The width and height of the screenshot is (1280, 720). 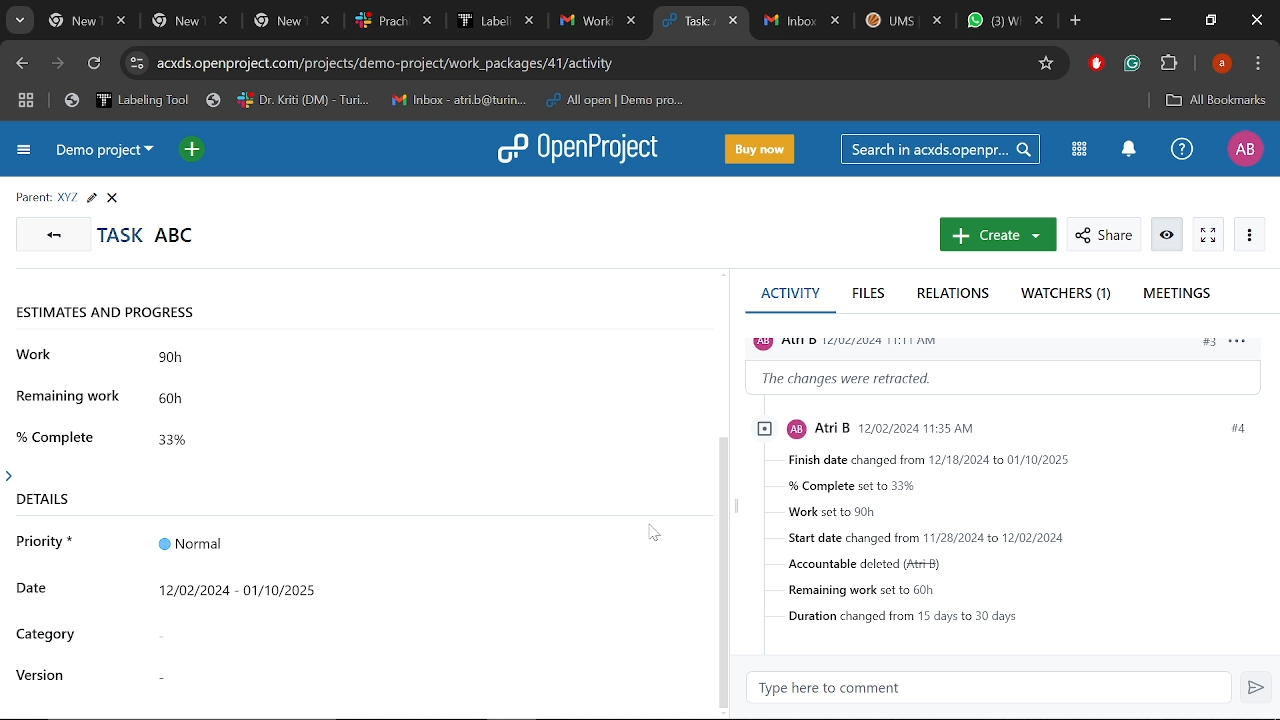 What do you see at coordinates (1260, 64) in the screenshot?
I see `Control and customize chrome` at bounding box center [1260, 64].